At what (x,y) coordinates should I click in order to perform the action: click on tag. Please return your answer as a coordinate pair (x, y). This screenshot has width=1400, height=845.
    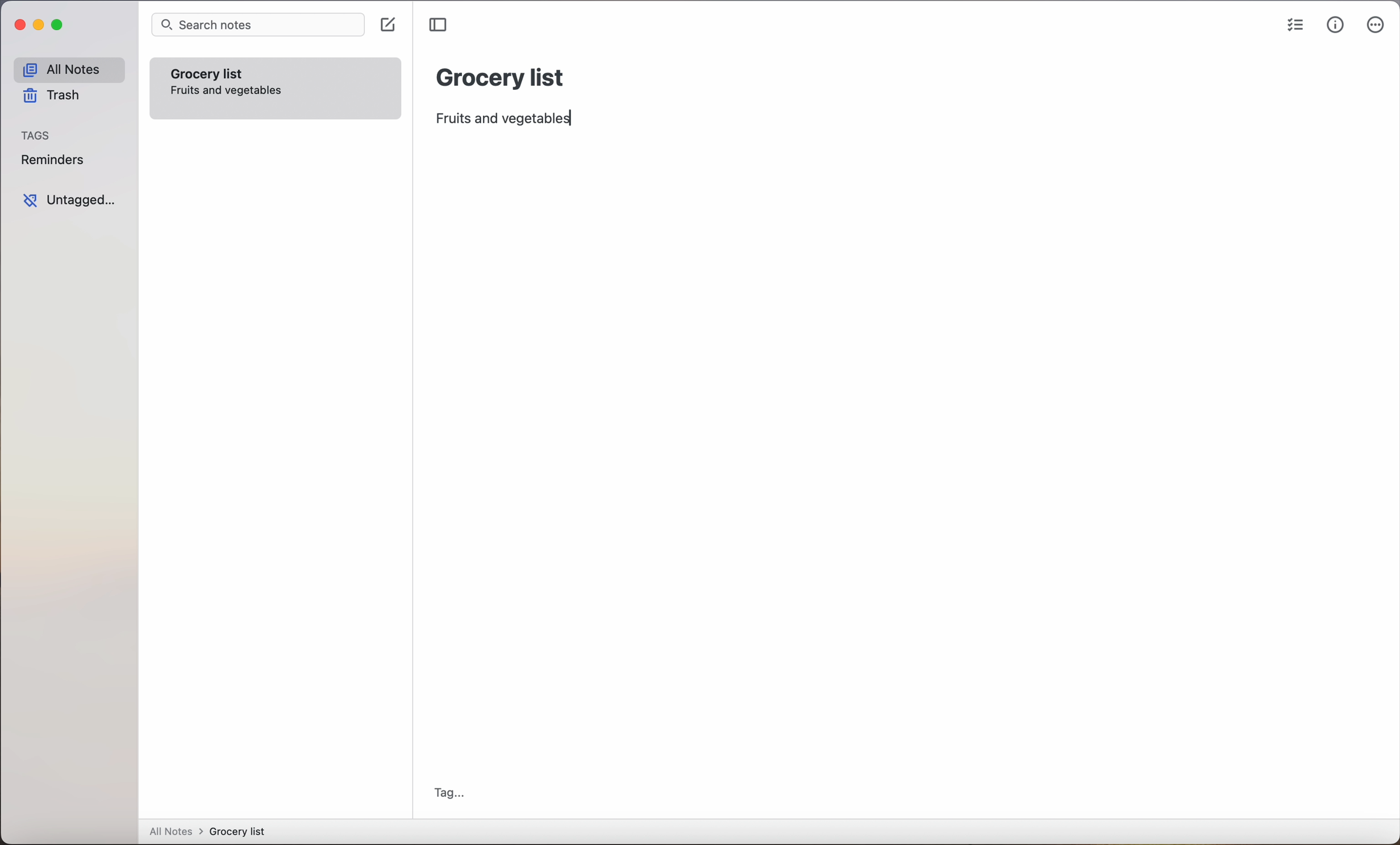
    Looking at the image, I should click on (449, 793).